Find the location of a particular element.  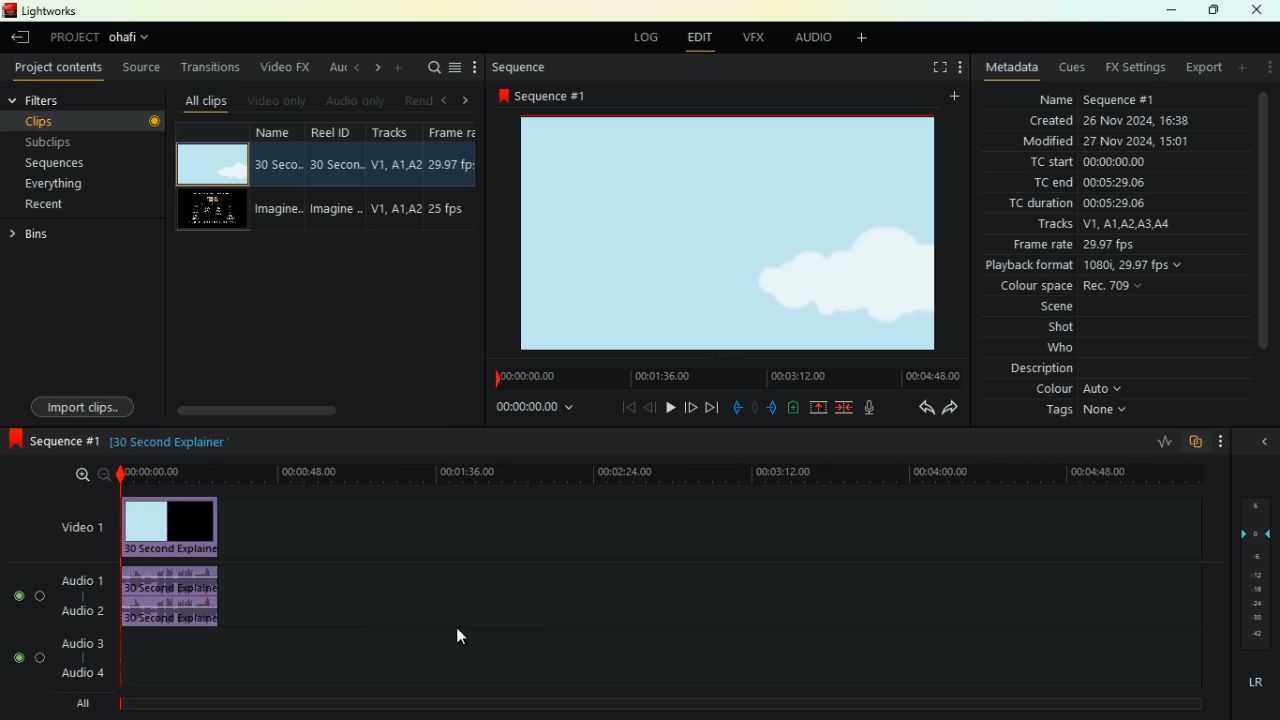

transitions is located at coordinates (214, 67).